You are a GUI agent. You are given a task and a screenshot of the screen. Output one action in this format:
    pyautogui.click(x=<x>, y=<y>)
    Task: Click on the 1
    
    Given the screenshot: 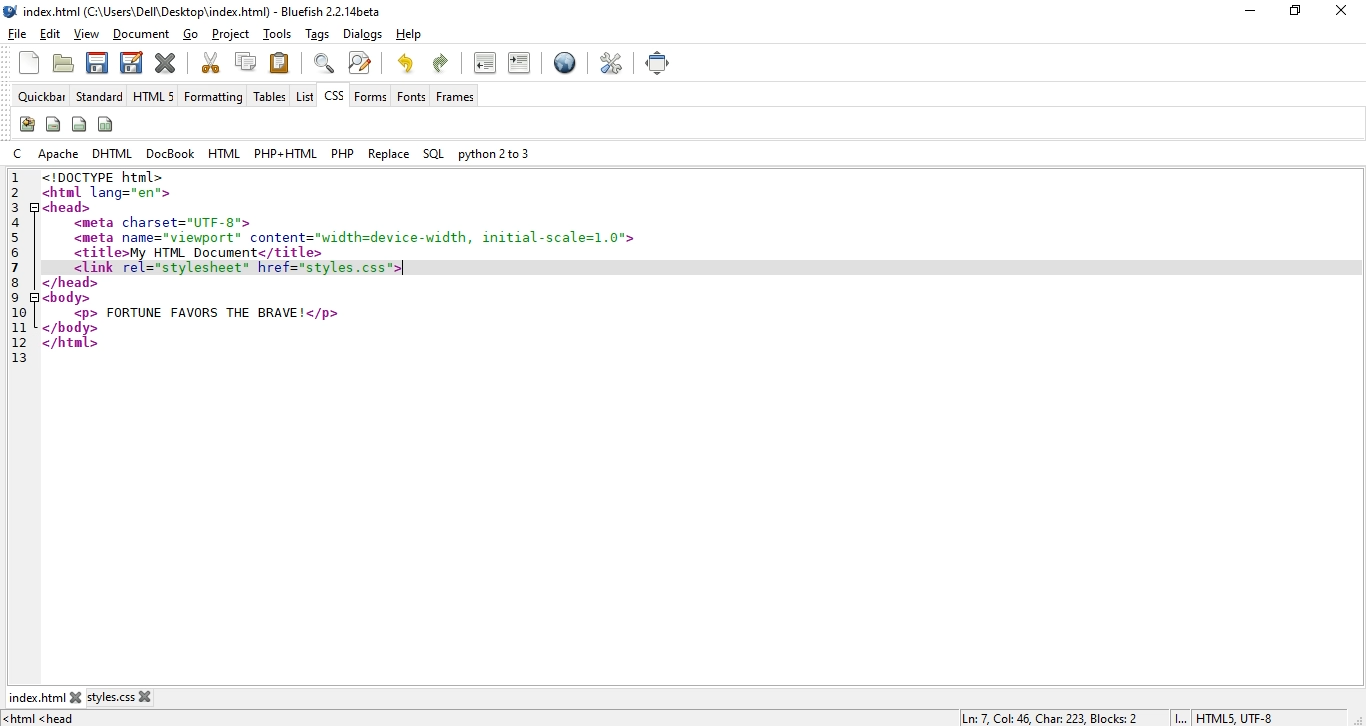 What is the action you would take?
    pyautogui.click(x=15, y=178)
    